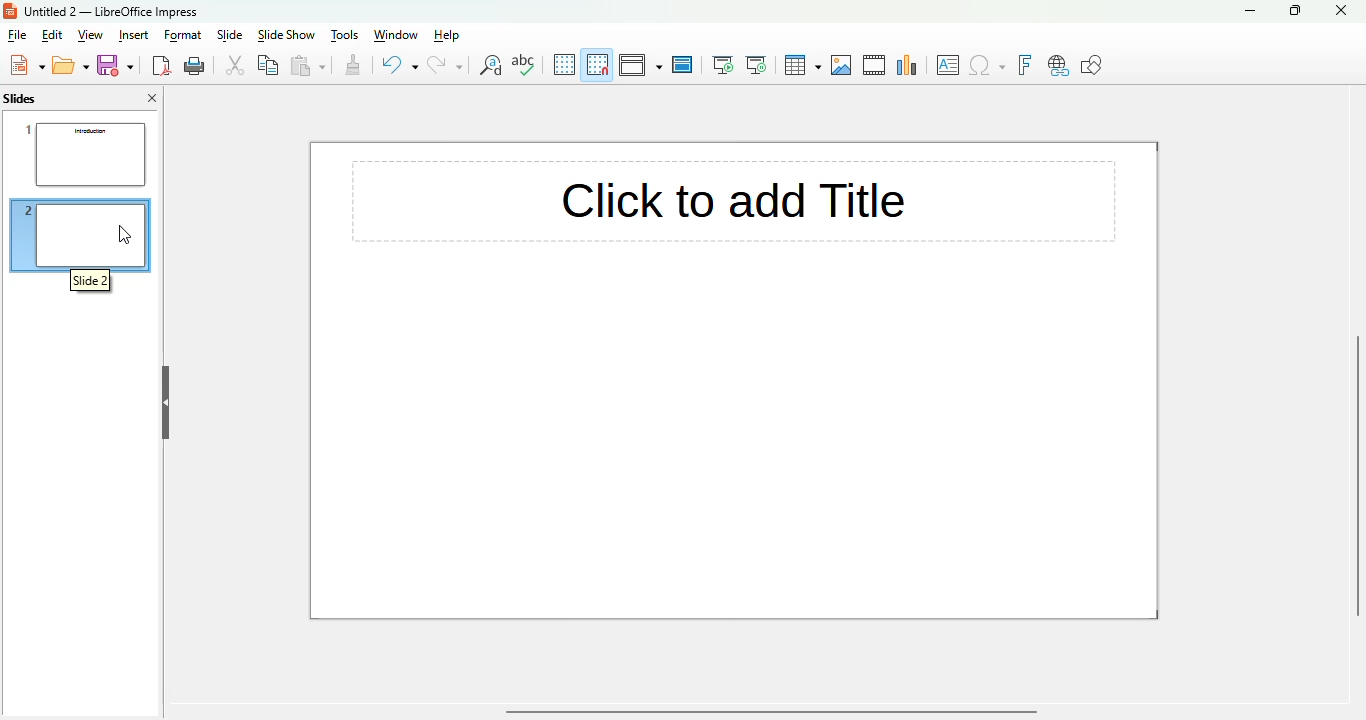 This screenshot has height=720, width=1366. Describe the element at coordinates (1296, 10) in the screenshot. I see `maximize` at that location.